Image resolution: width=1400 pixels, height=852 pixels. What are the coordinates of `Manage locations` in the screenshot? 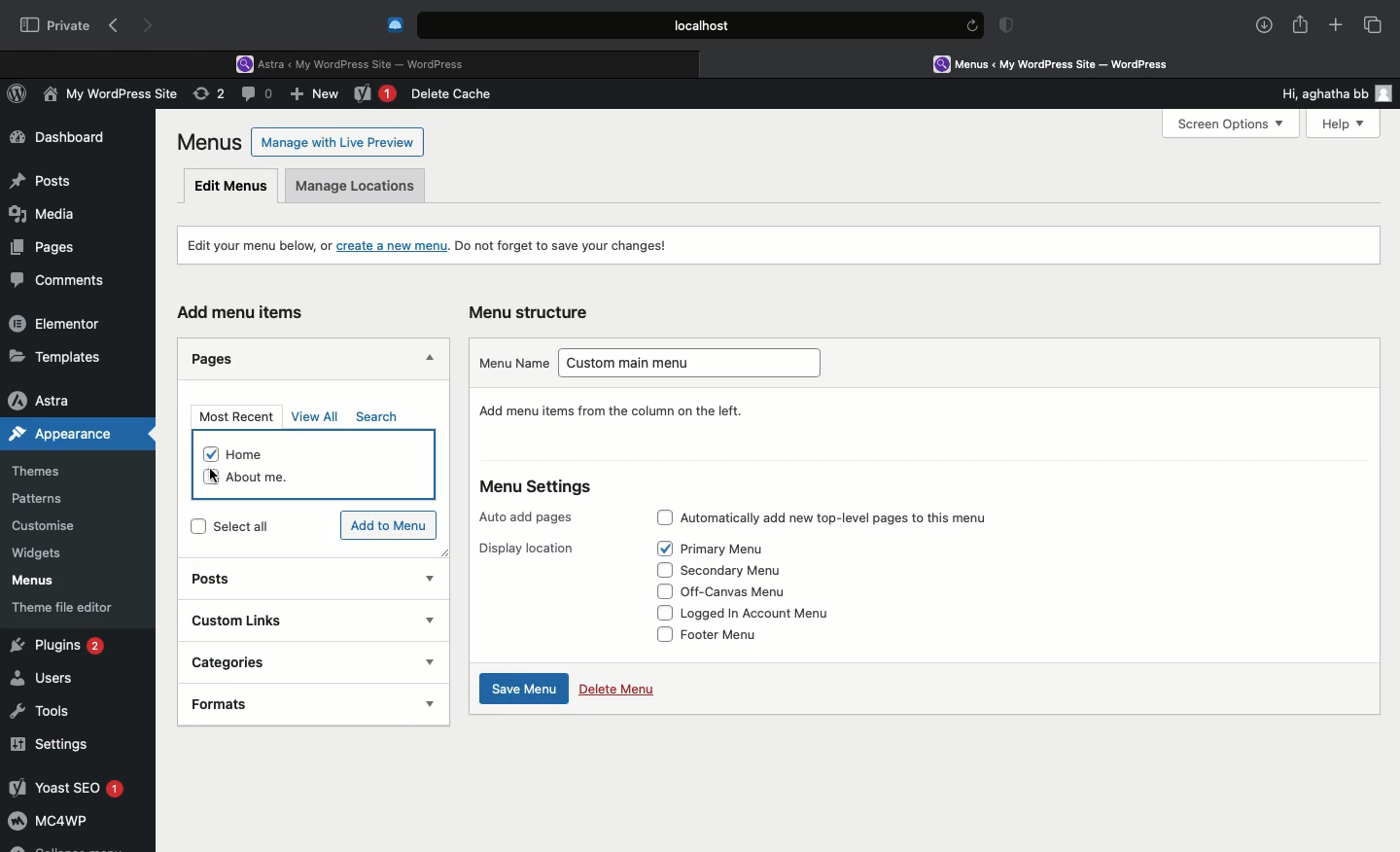 It's located at (360, 191).